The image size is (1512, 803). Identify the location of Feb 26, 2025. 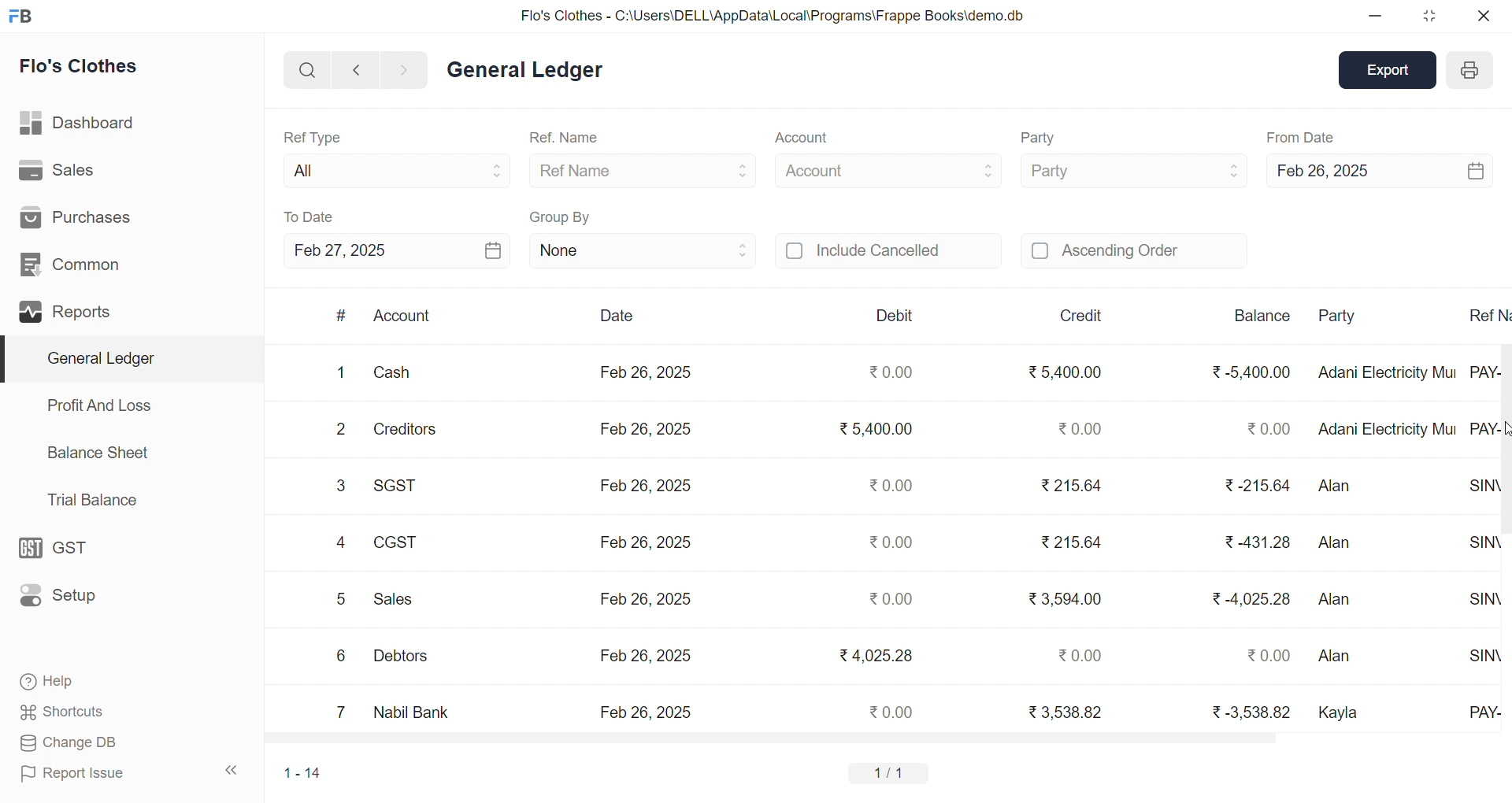
(646, 373).